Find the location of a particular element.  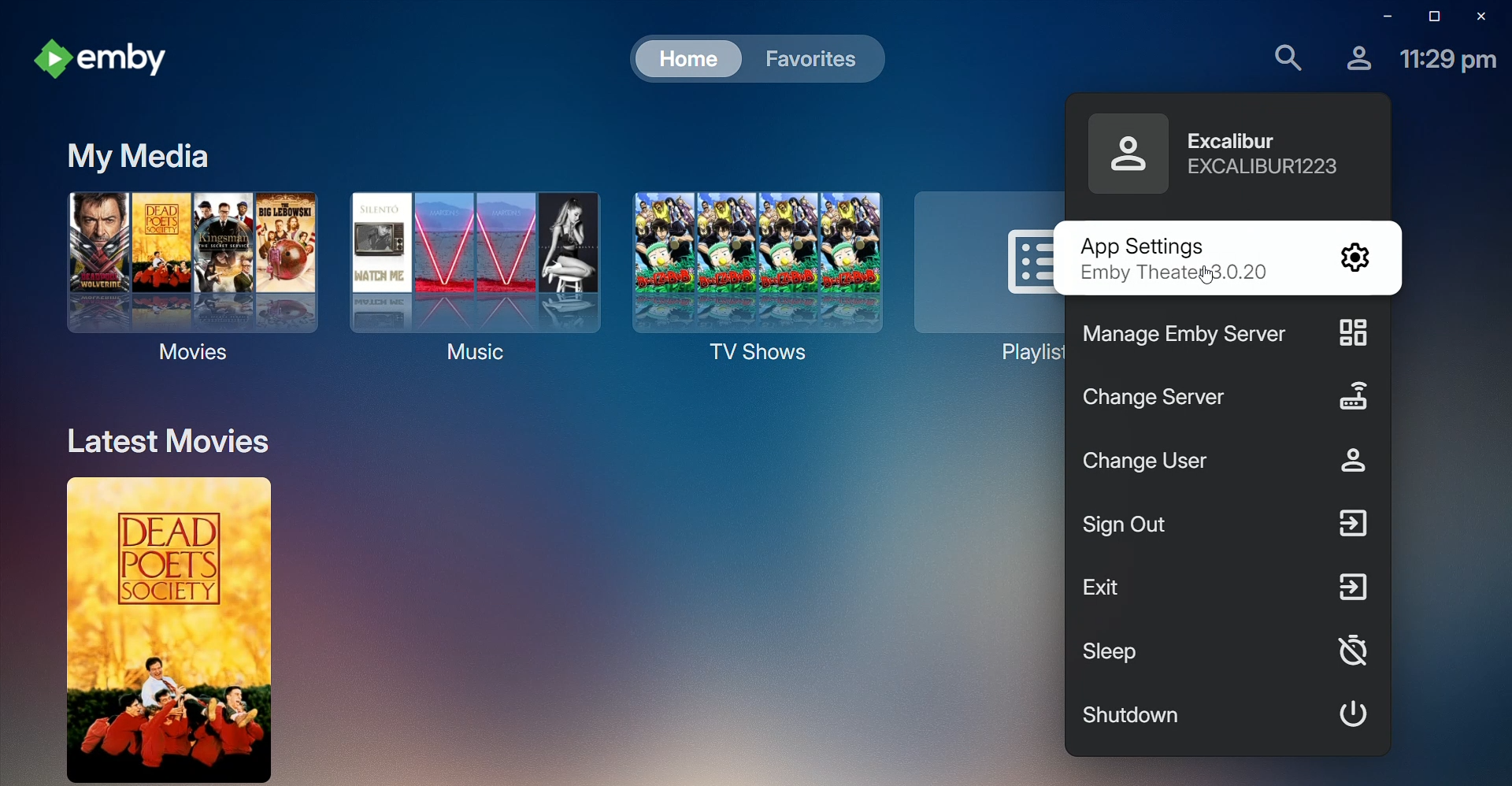

Shutdown is located at coordinates (1237, 716).